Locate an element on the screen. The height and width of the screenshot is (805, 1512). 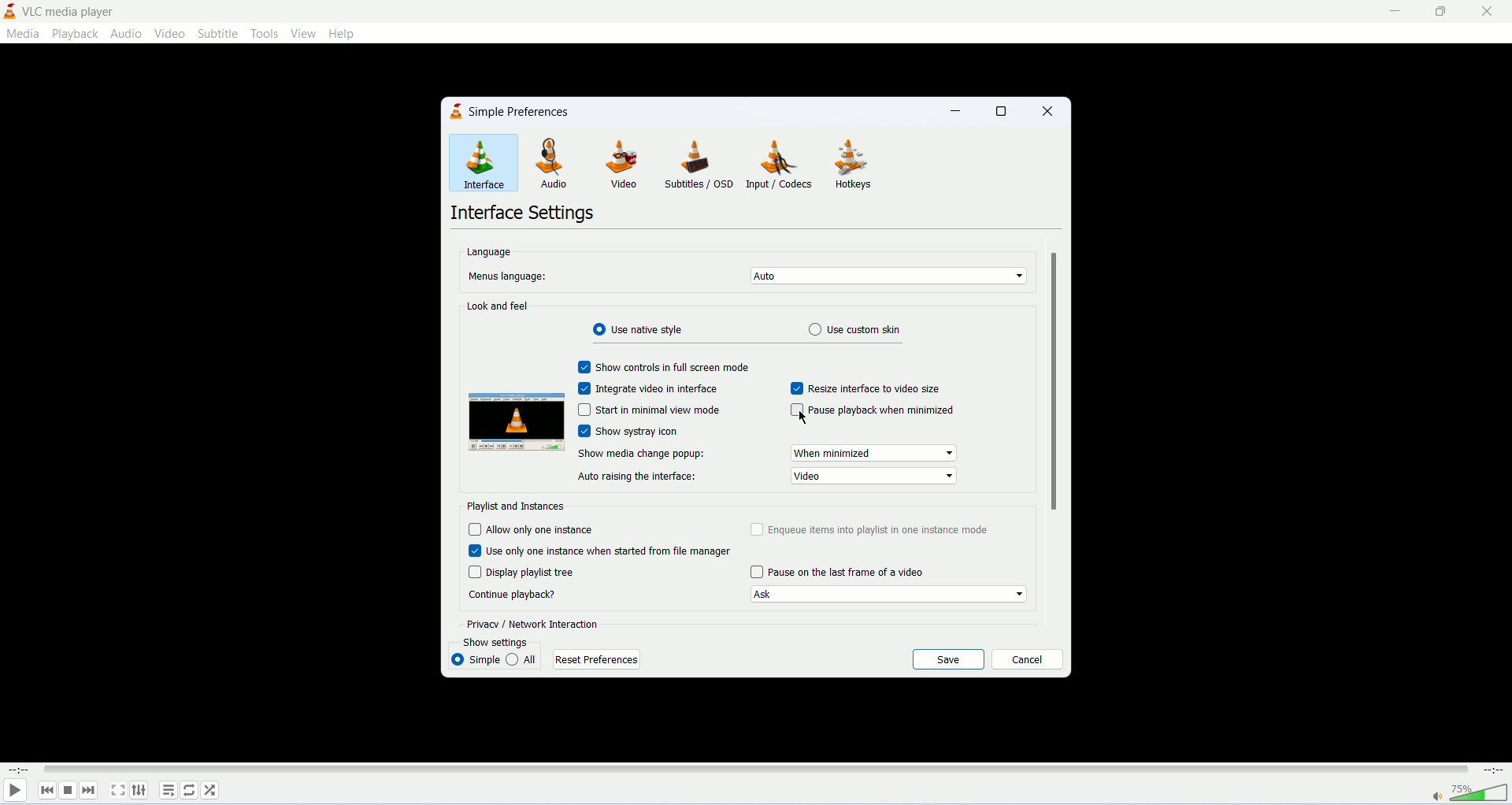
start minimal view mode is located at coordinates (659, 410).